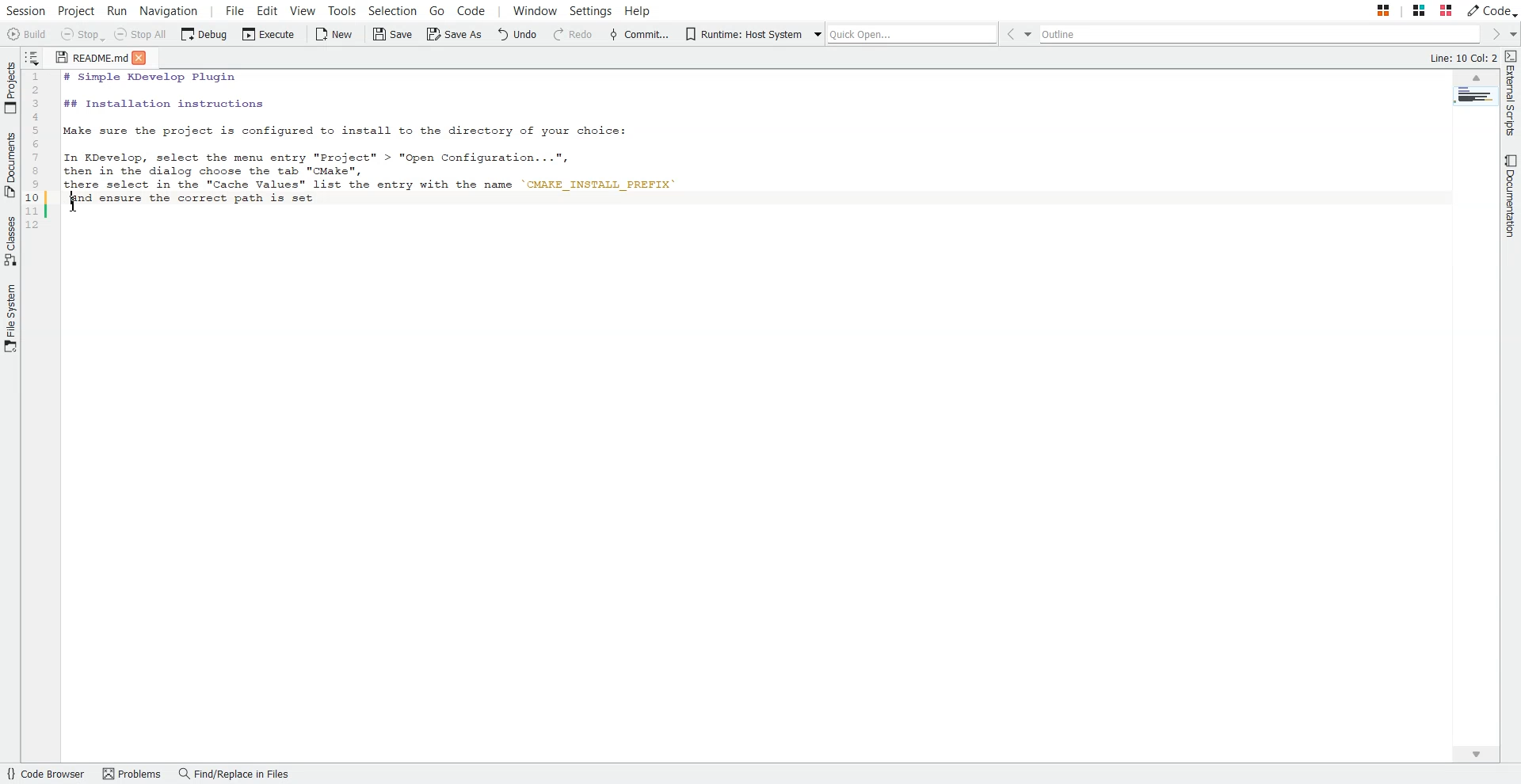 The width and height of the screenshot is (1521, 784). What do you see at coordinates (394, 10) in the screenshot?
I see `Selection` at bounding box center [394, 10].